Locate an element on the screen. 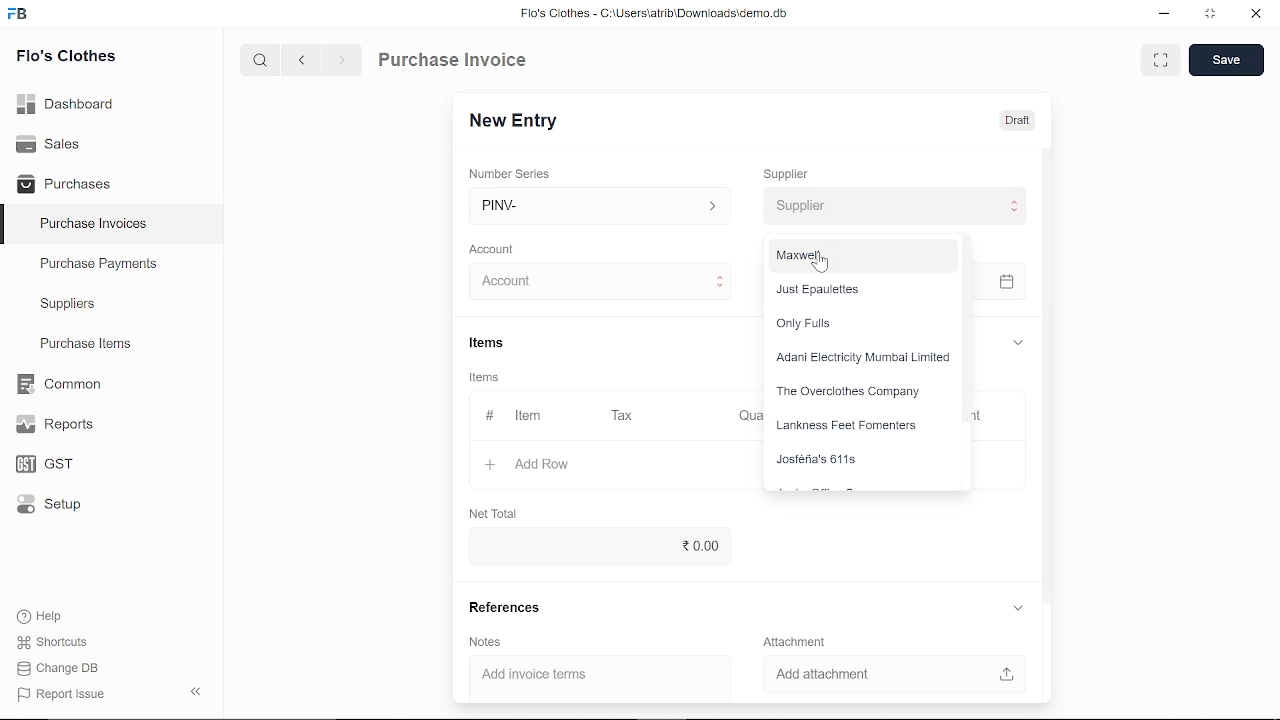 The width and height of the screenshot is (1280, 720). input ‘Supplier is located at coordinates (896, 206).